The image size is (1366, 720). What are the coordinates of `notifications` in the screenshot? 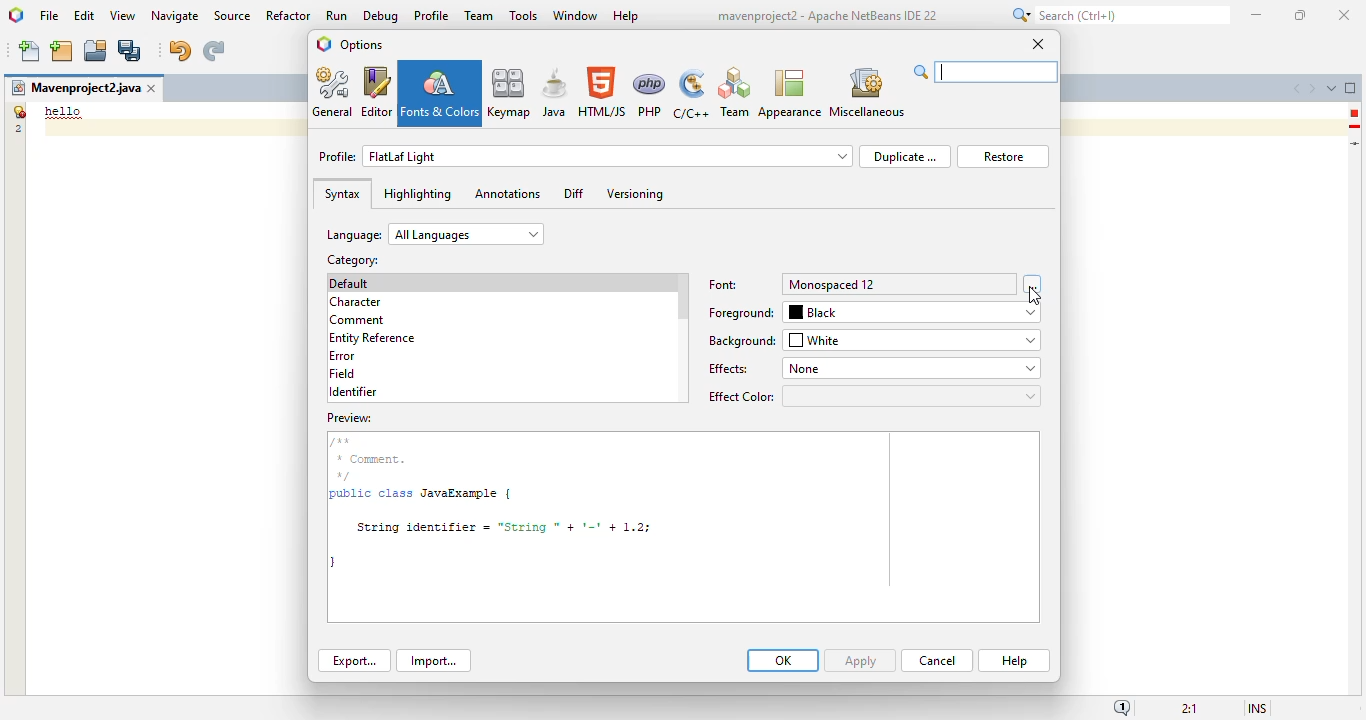 It's located at (1123, 707).